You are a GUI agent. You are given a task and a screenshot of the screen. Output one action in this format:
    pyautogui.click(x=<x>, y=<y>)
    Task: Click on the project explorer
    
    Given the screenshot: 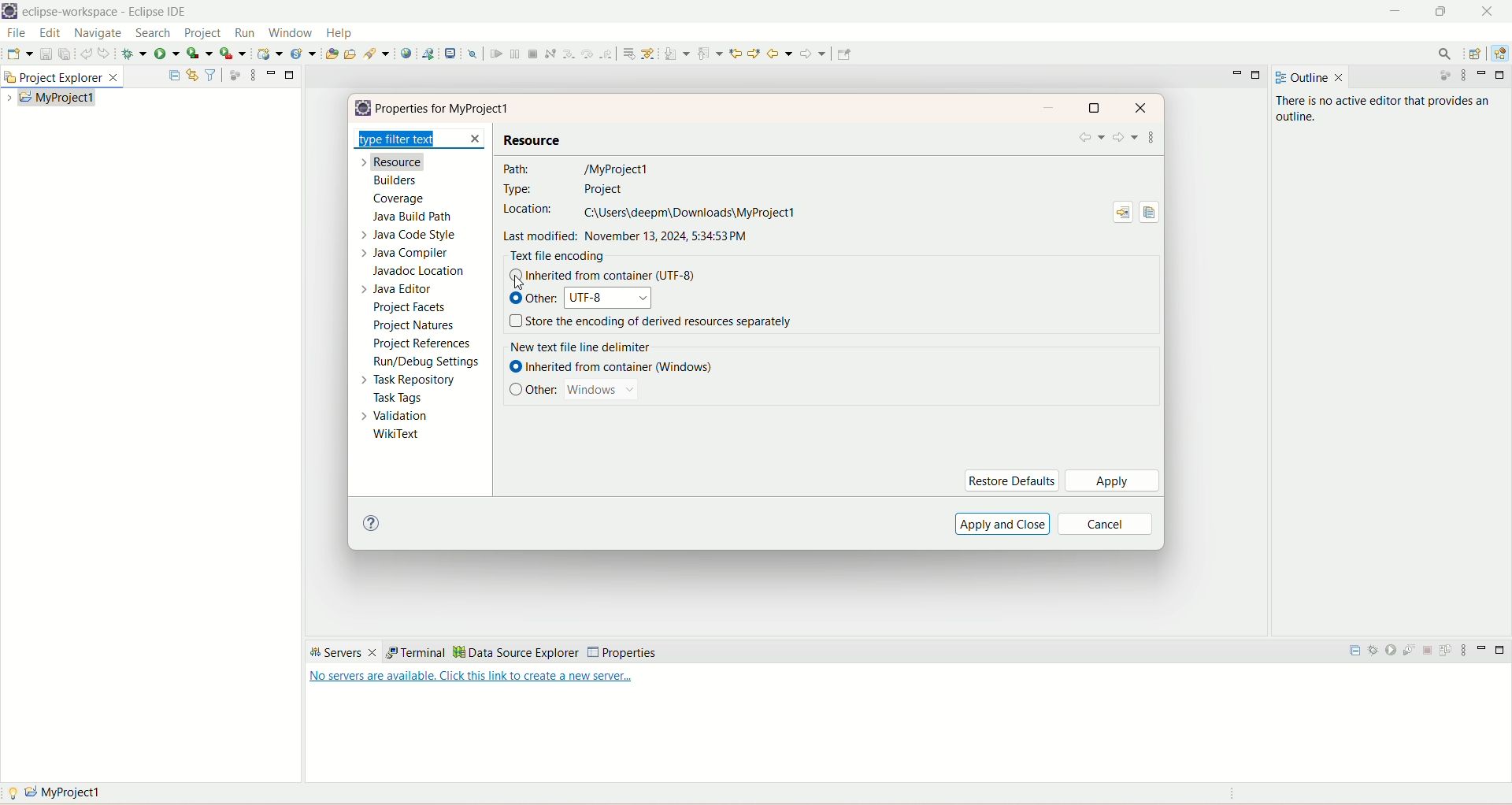 What is the action you would take?
    pyautogui.click(x=65, y=77)
    